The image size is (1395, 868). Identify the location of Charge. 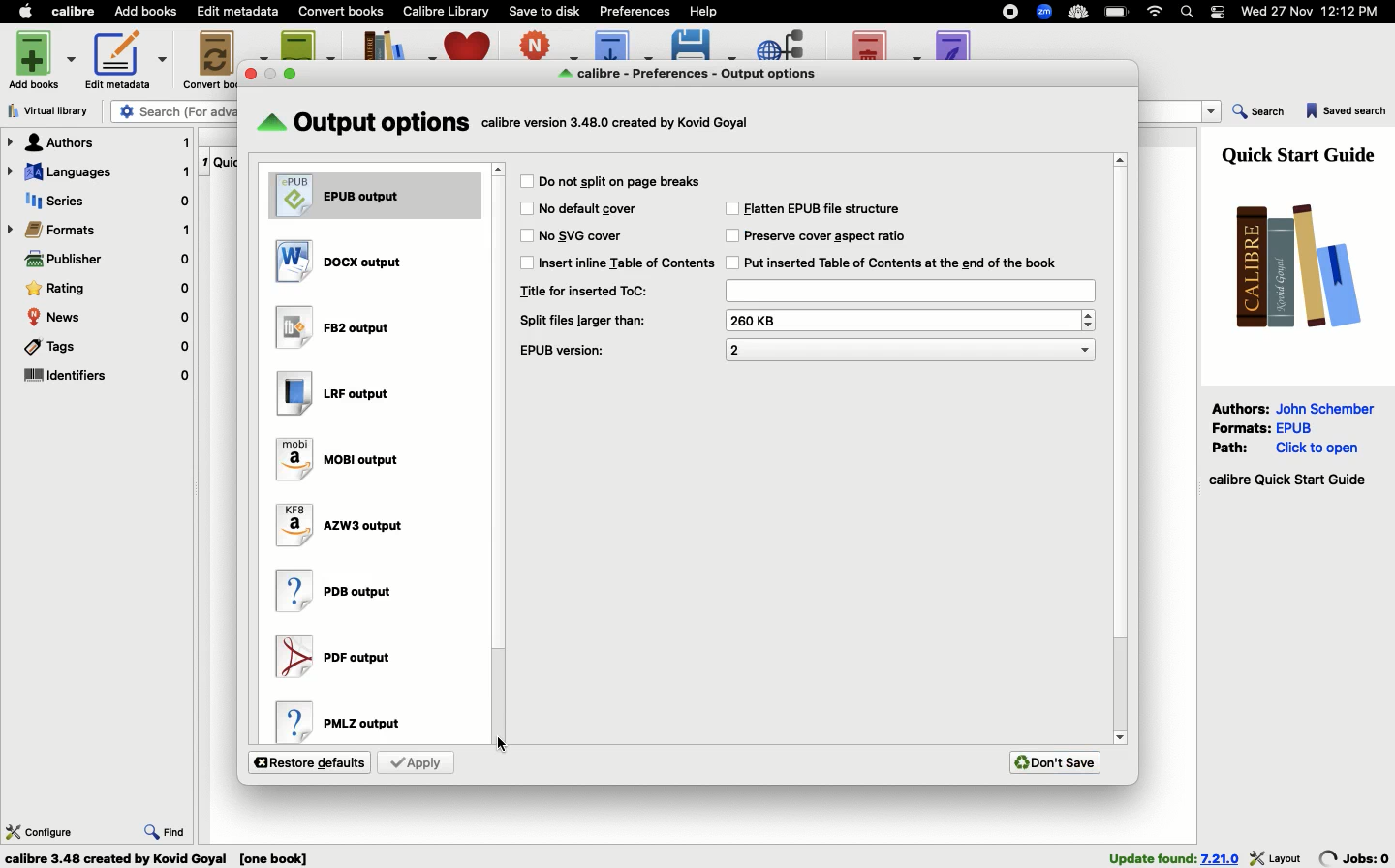
(1118, 13).